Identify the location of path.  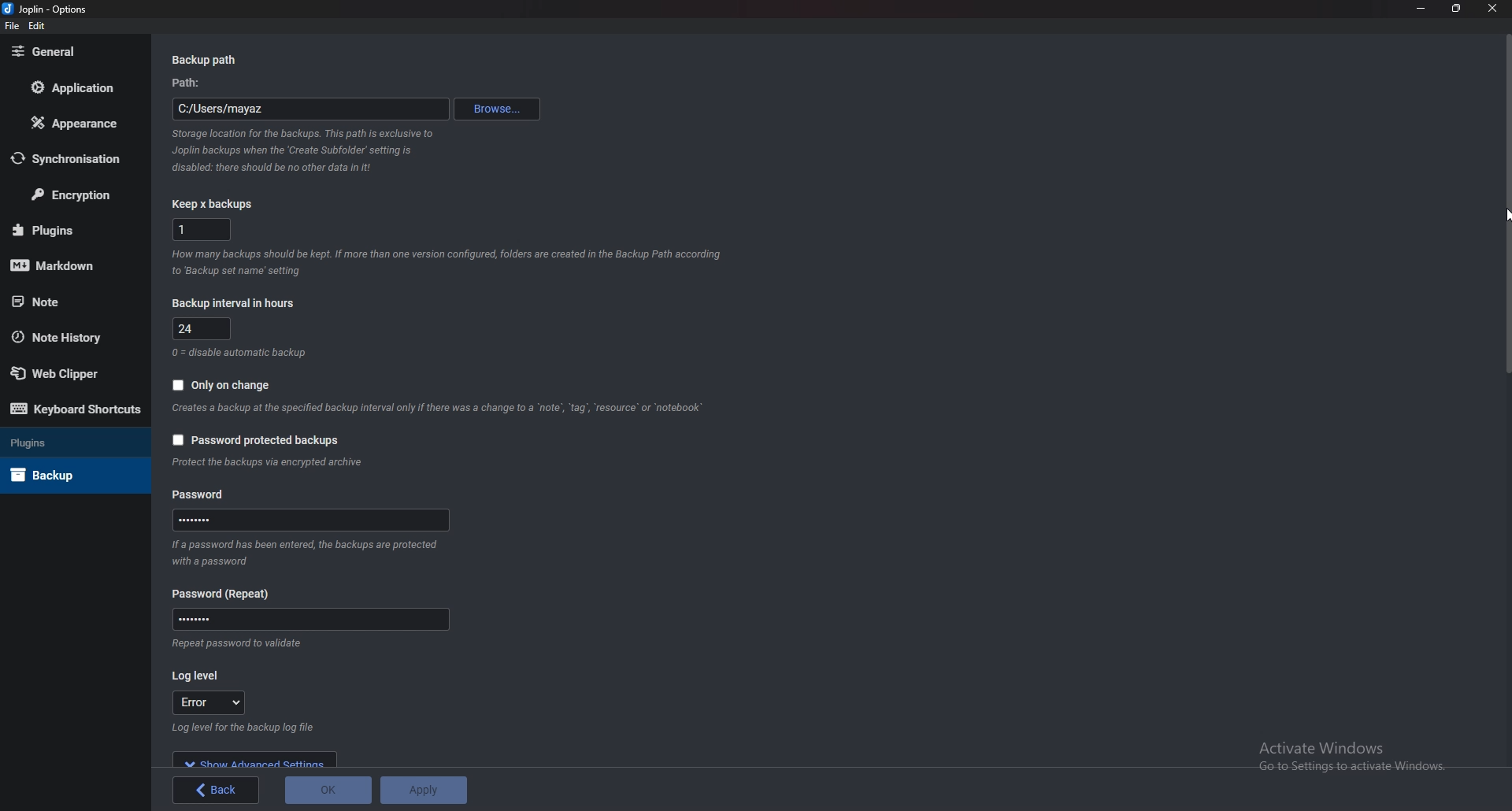
(312, 109).